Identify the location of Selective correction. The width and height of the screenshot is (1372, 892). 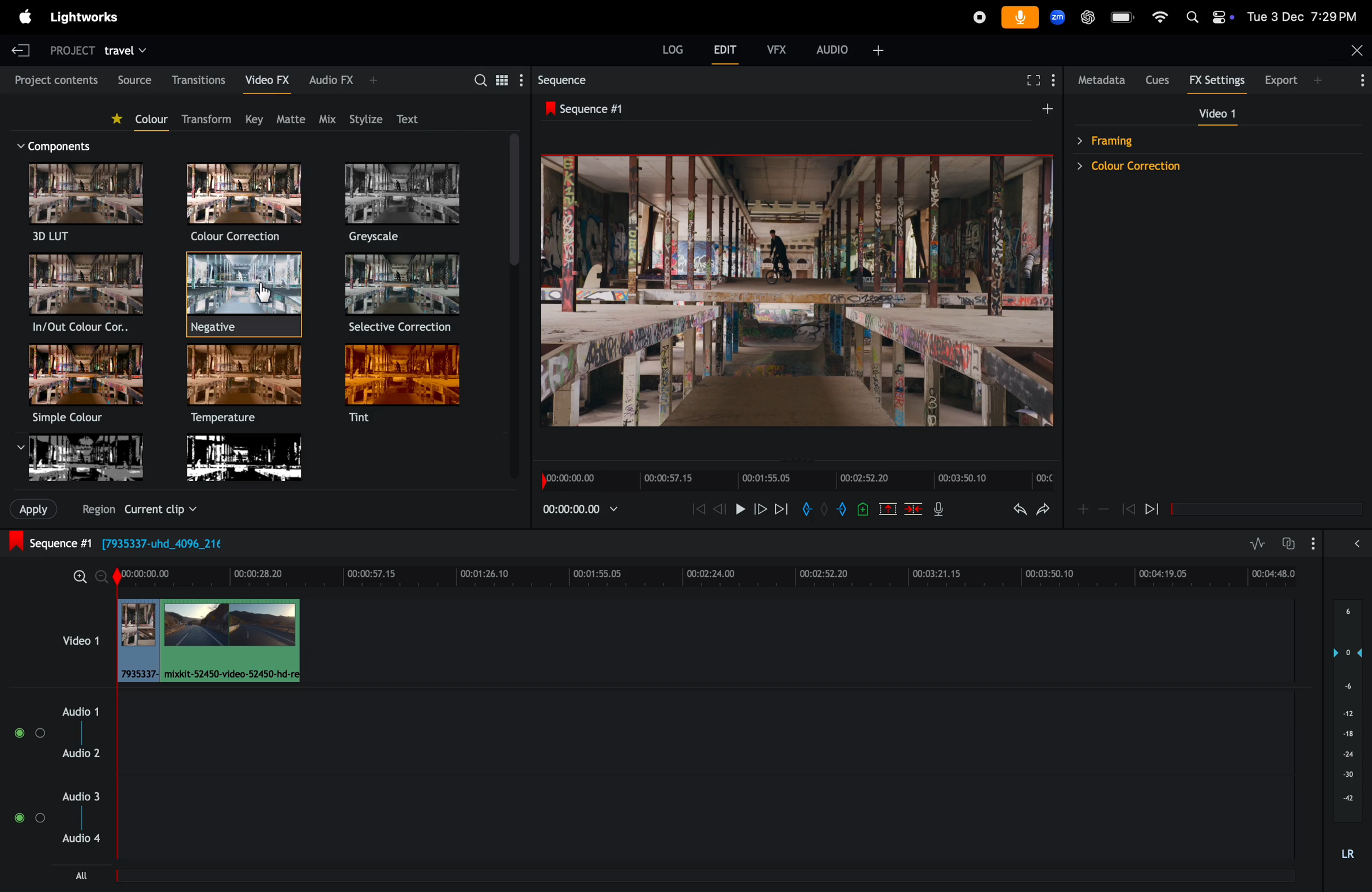
(404, 296).